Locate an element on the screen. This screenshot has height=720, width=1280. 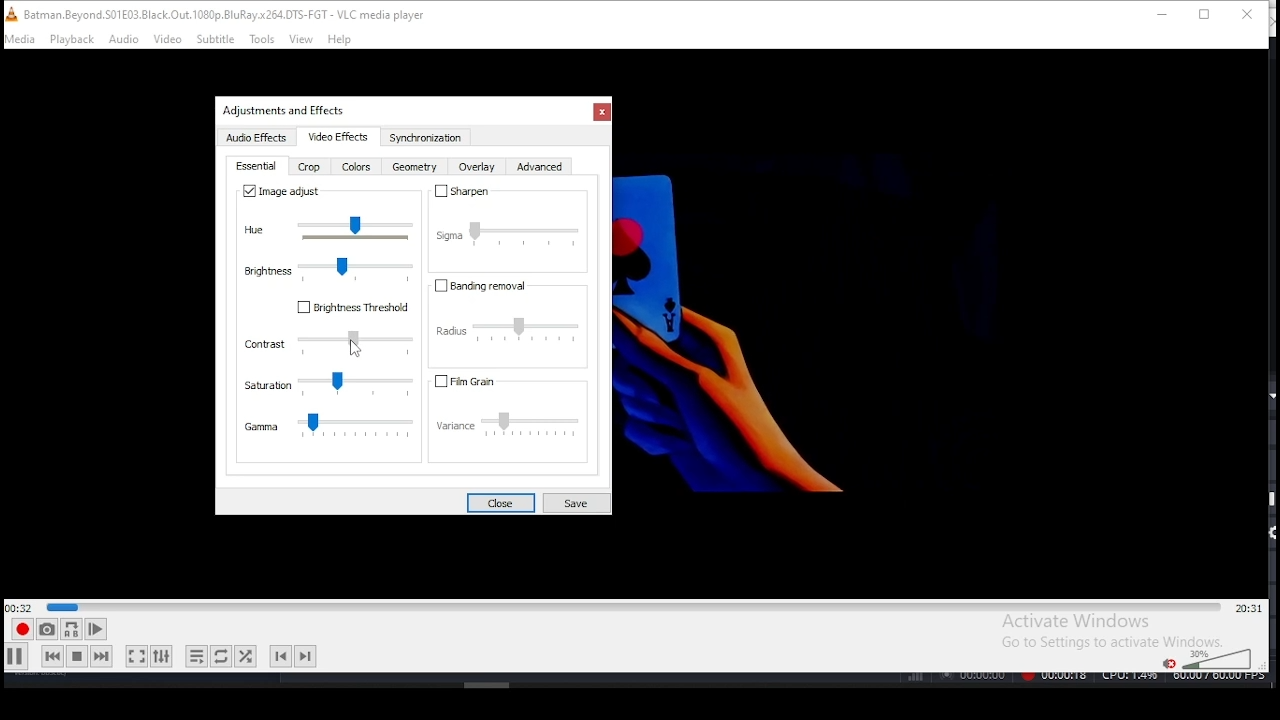
mute/unmute is located at coordinates (1166, 662).